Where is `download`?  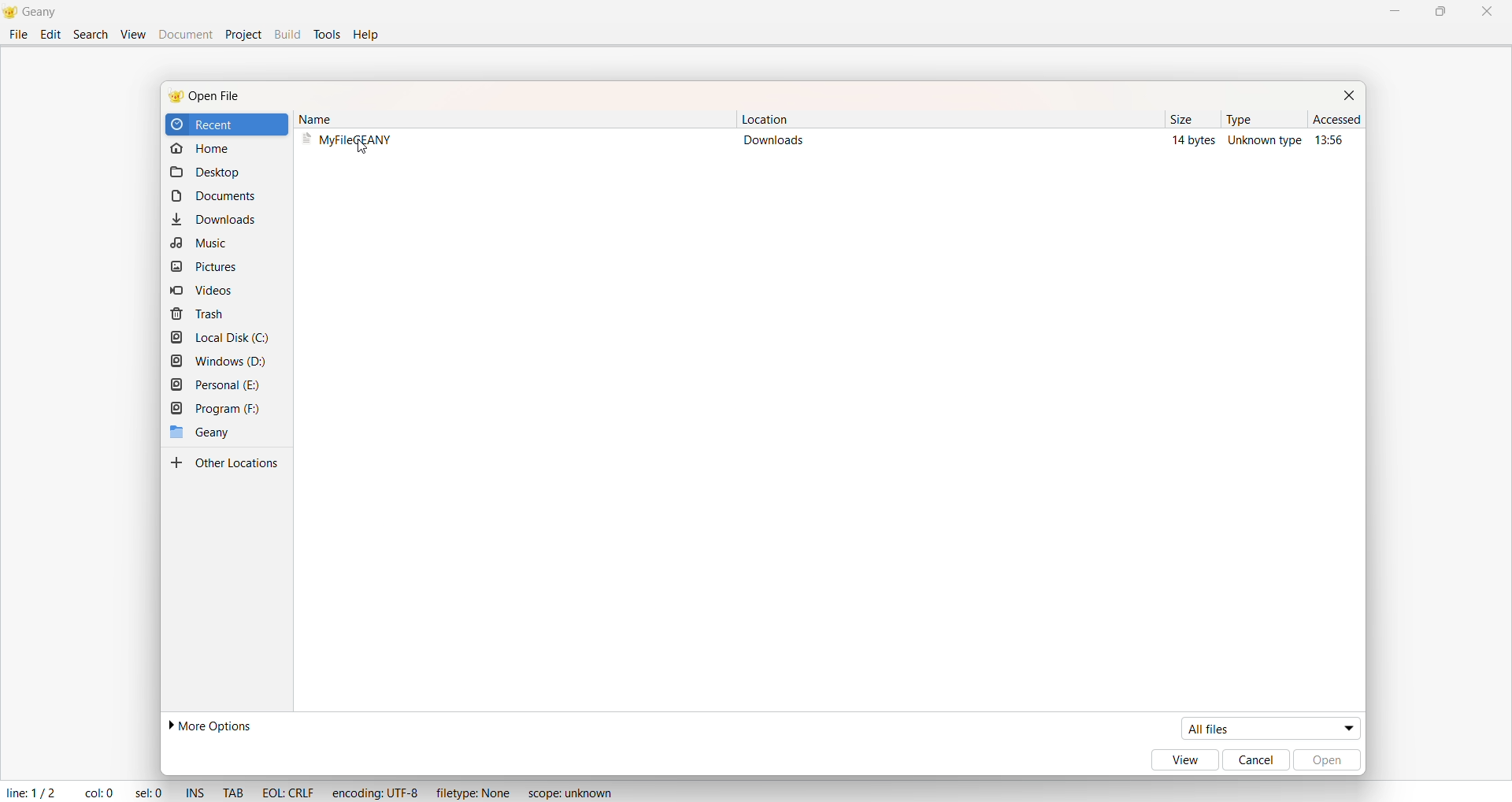 download is located at coordinates (214, 218).